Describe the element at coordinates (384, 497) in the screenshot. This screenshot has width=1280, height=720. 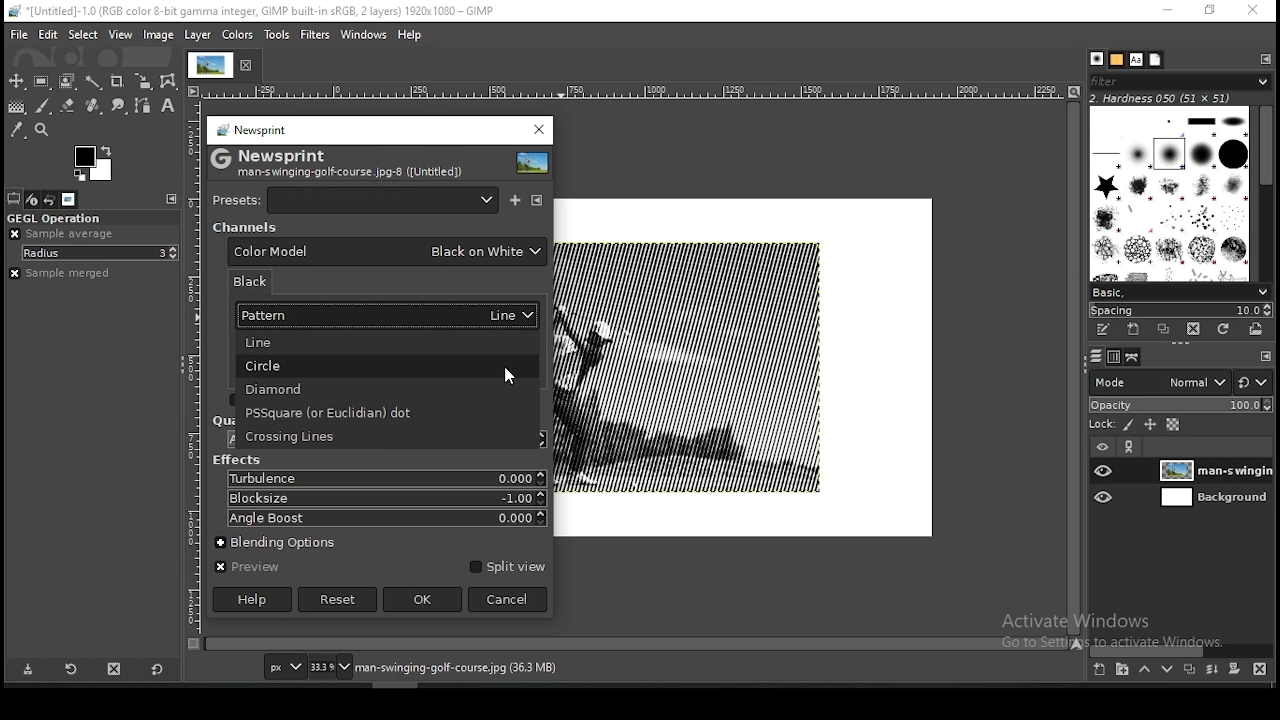
I see `blocksize` at that location.